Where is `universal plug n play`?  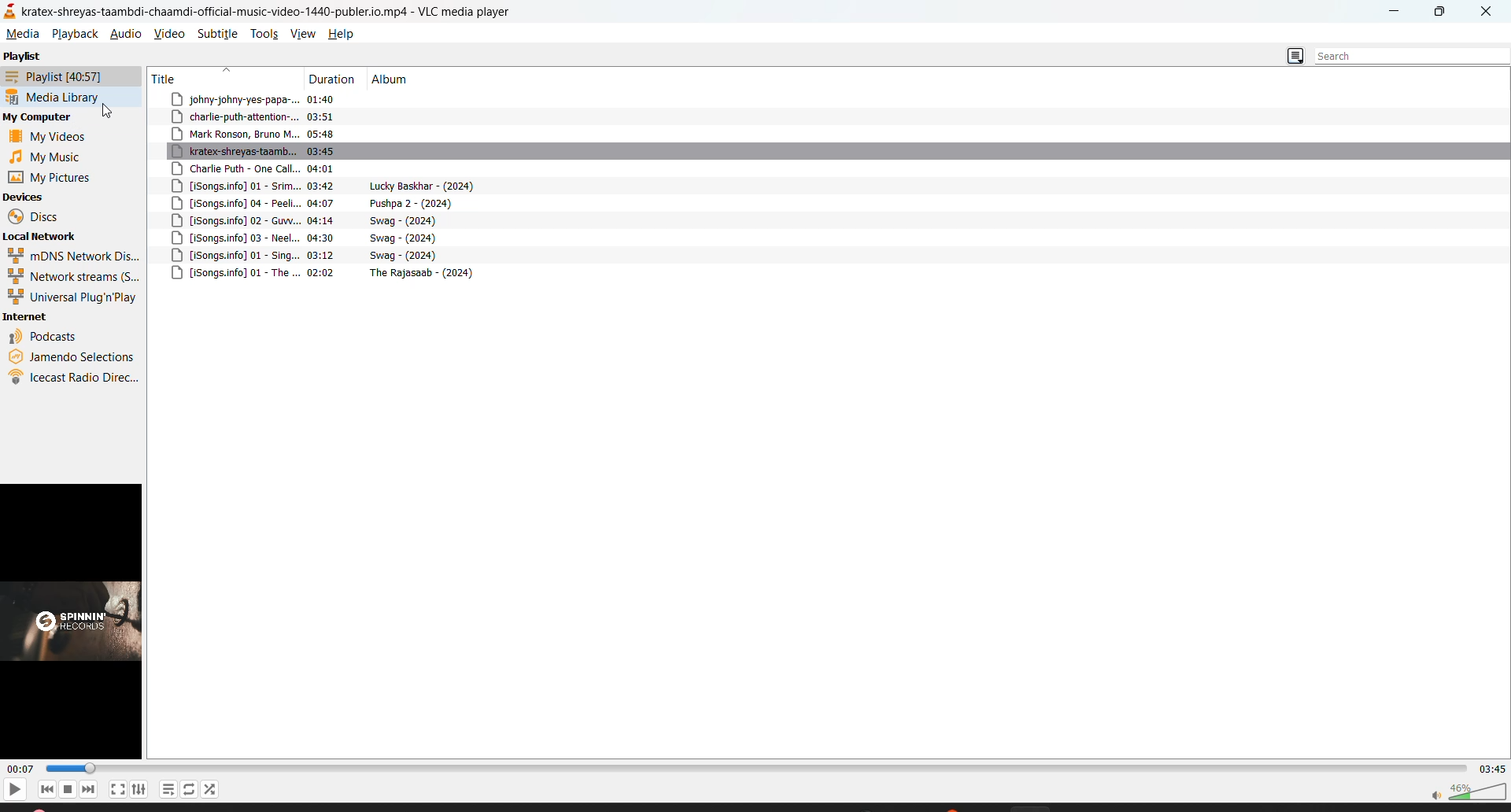
universal plug n play is located at coordinates (71, 297).